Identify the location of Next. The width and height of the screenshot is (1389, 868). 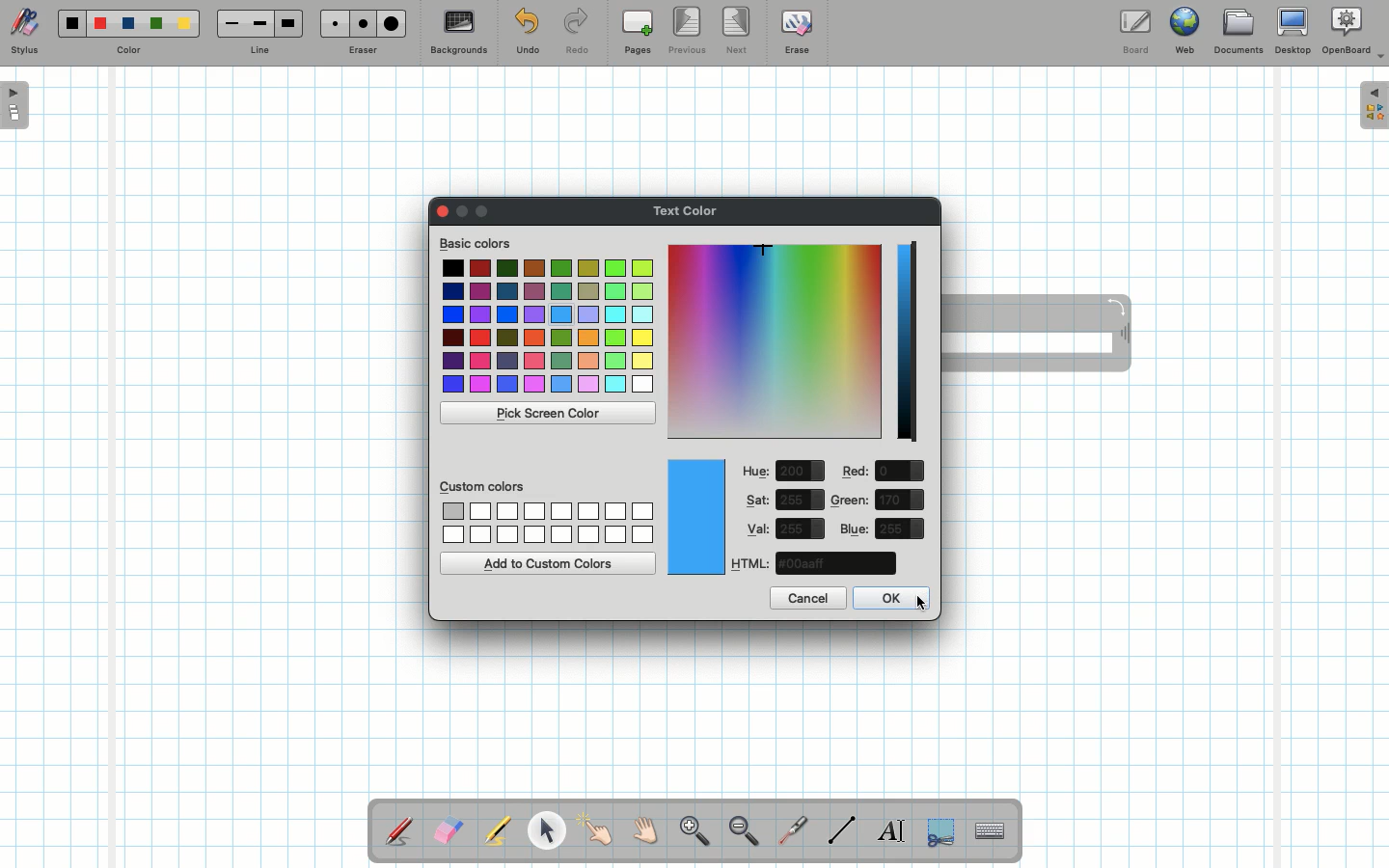
(738, 29).